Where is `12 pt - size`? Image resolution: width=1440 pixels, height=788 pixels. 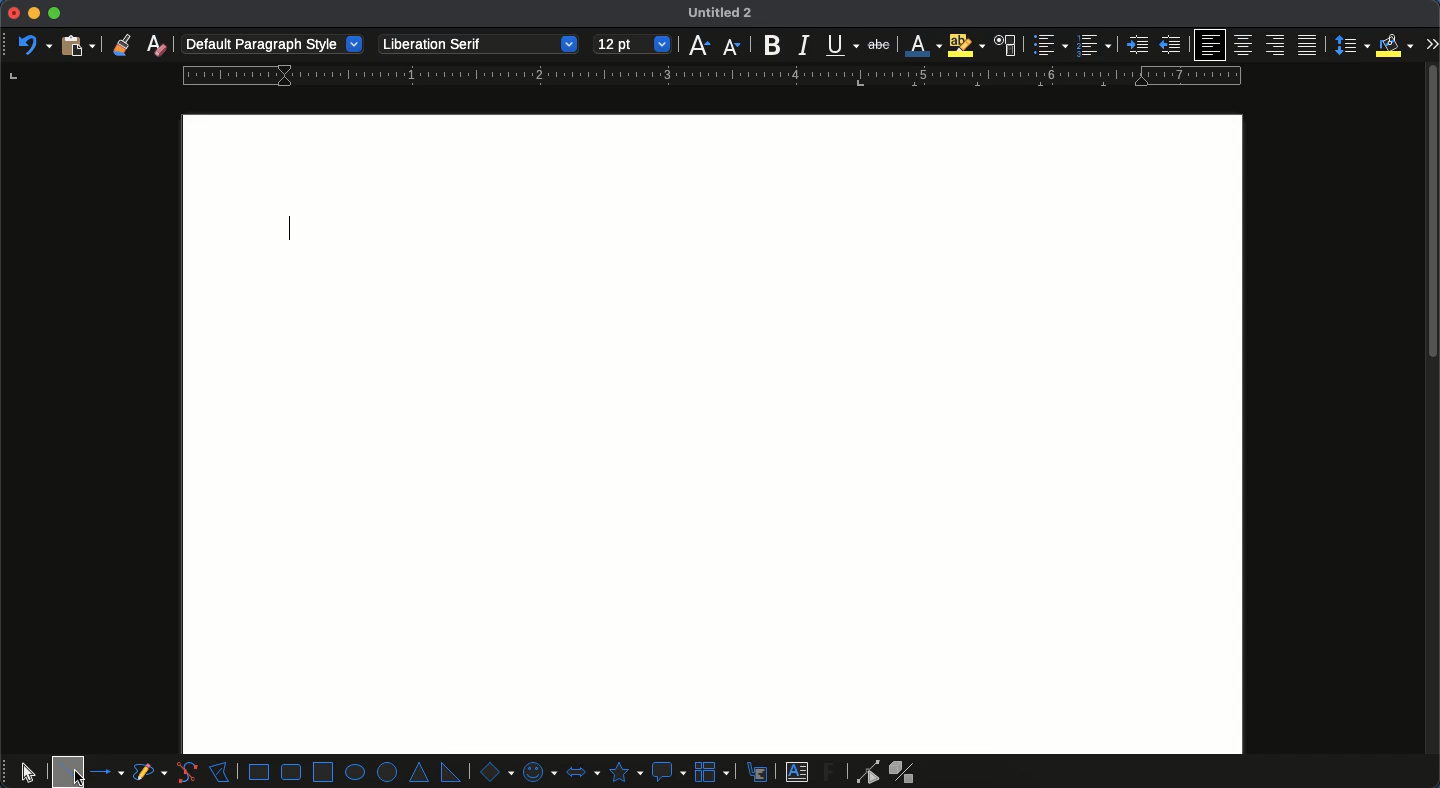
12 pt - size is located at coordinates (634, 45).